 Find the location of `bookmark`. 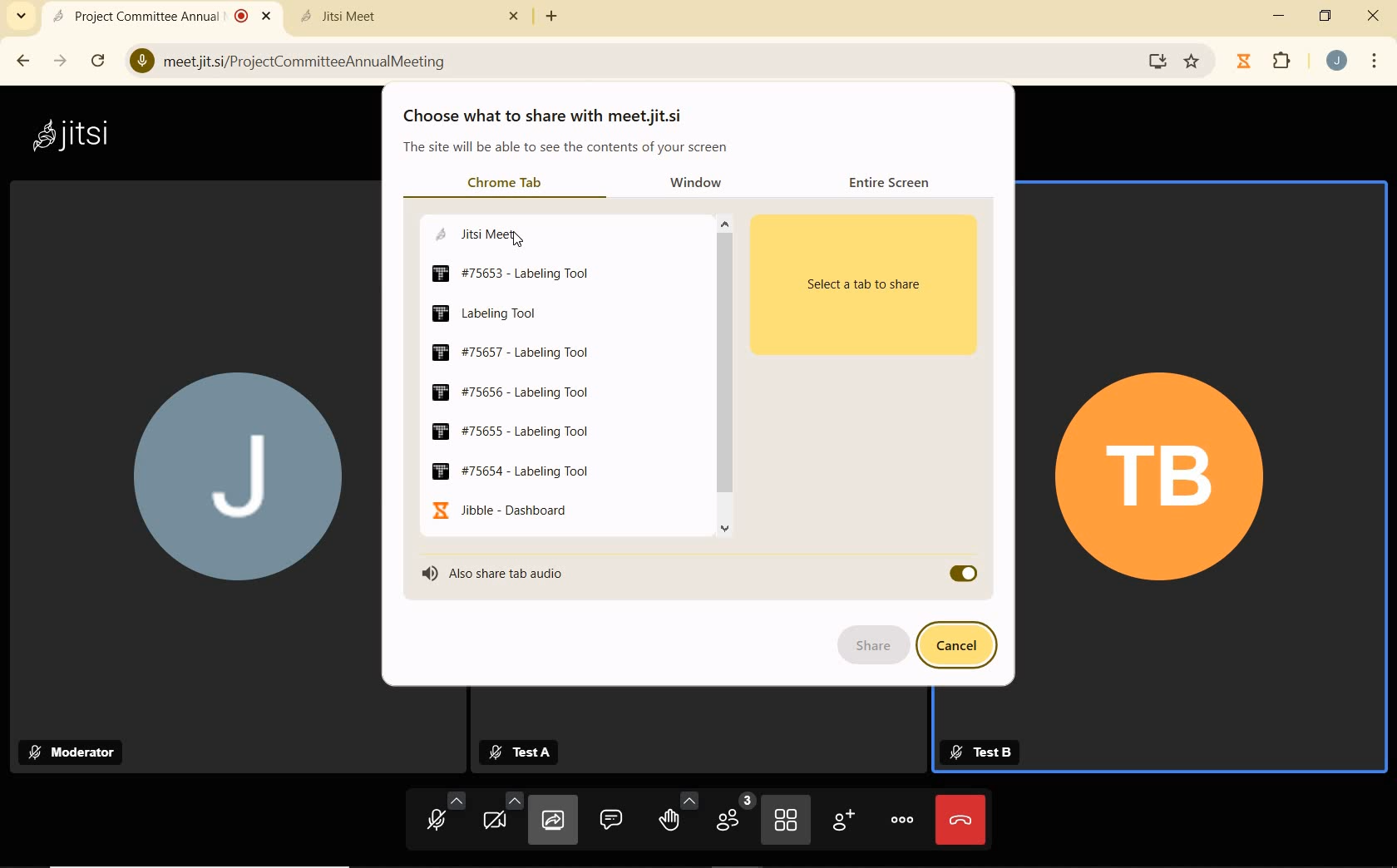

bookmark is located at coordinates (1193, 62).